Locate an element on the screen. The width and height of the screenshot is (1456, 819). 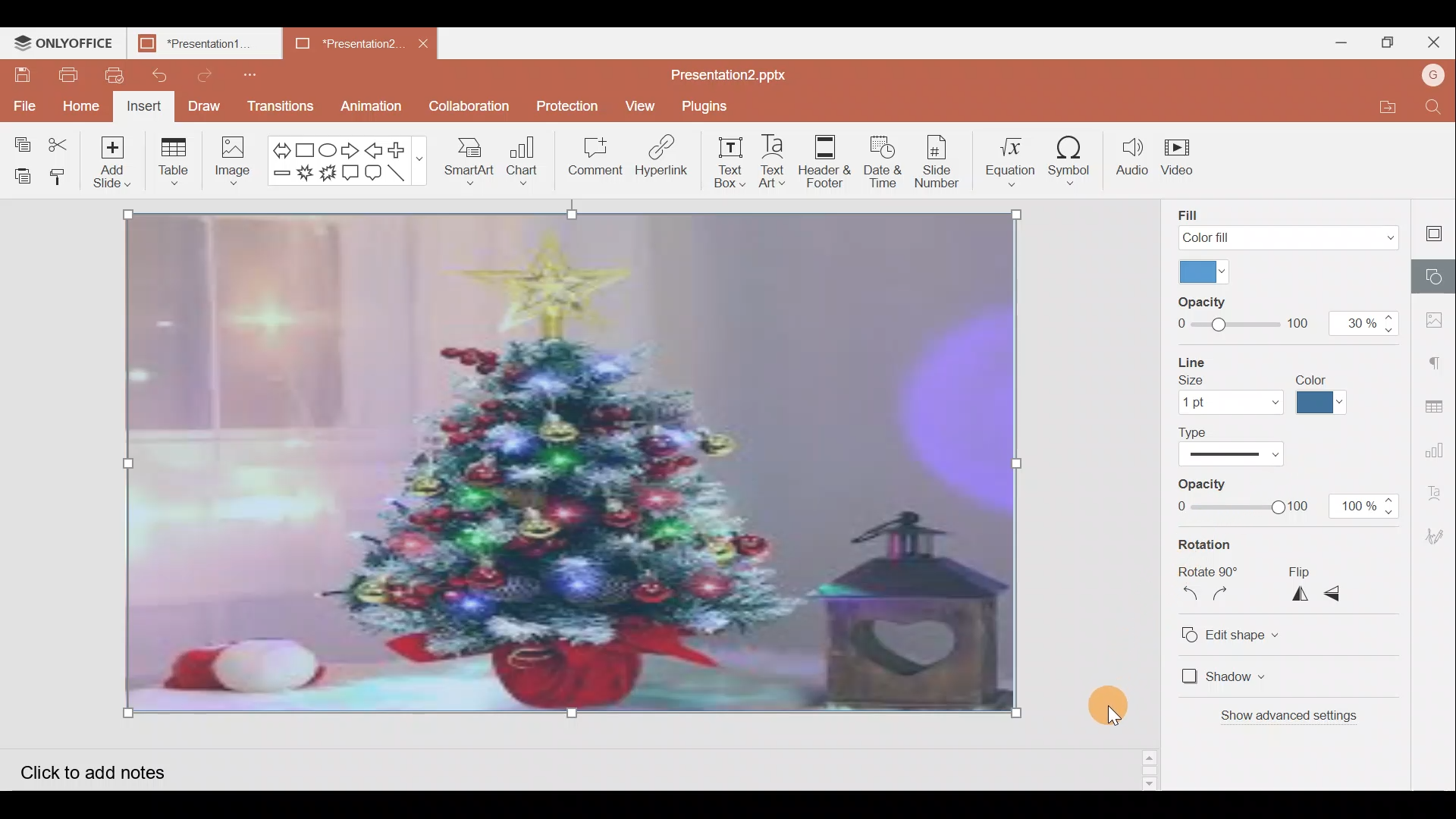
Edit shape is located at coordinates (1245, 632).